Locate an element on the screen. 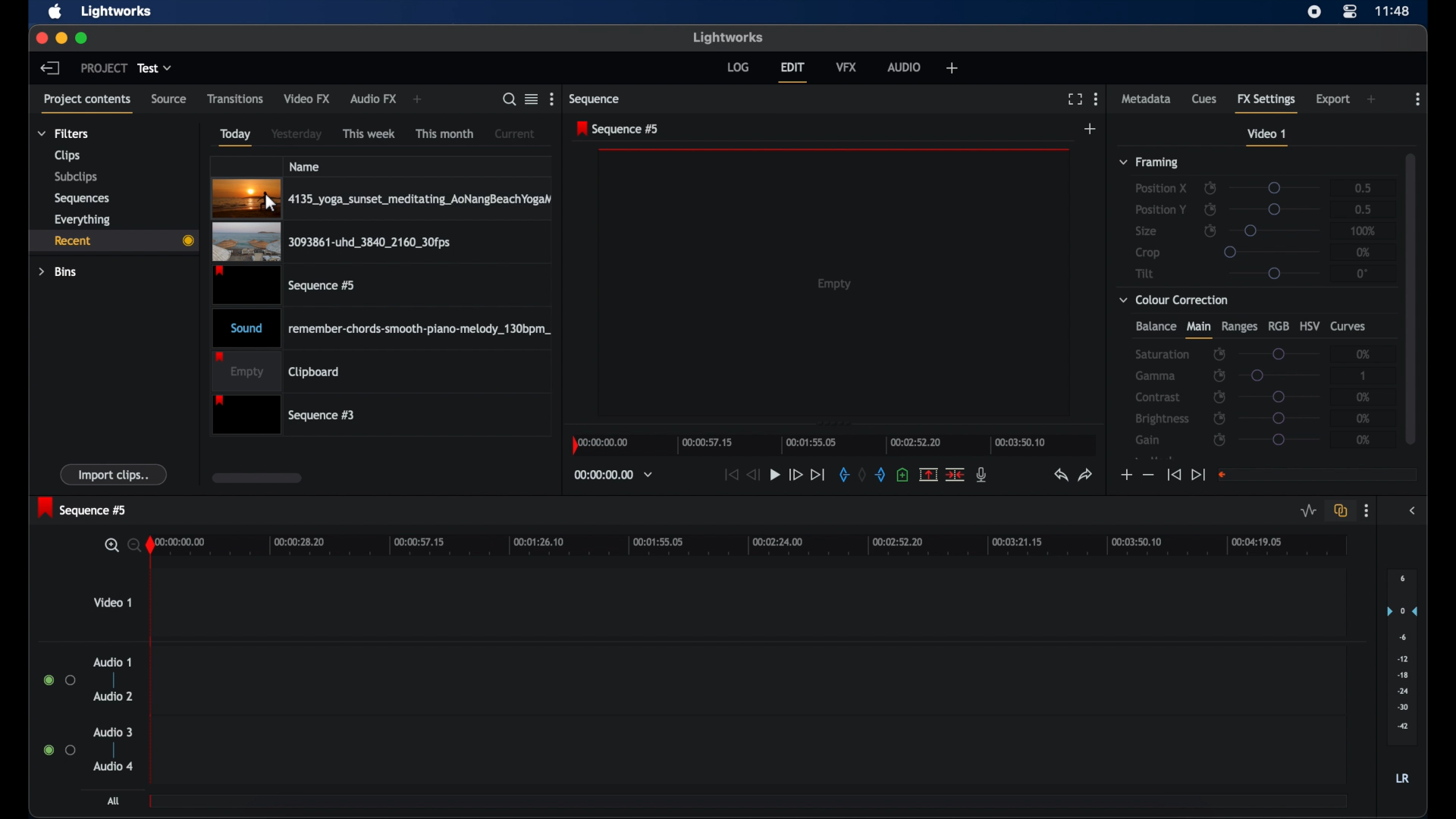 The height and width of the screenshot is (819, 1456). mic is located at coordinates (983, 475).